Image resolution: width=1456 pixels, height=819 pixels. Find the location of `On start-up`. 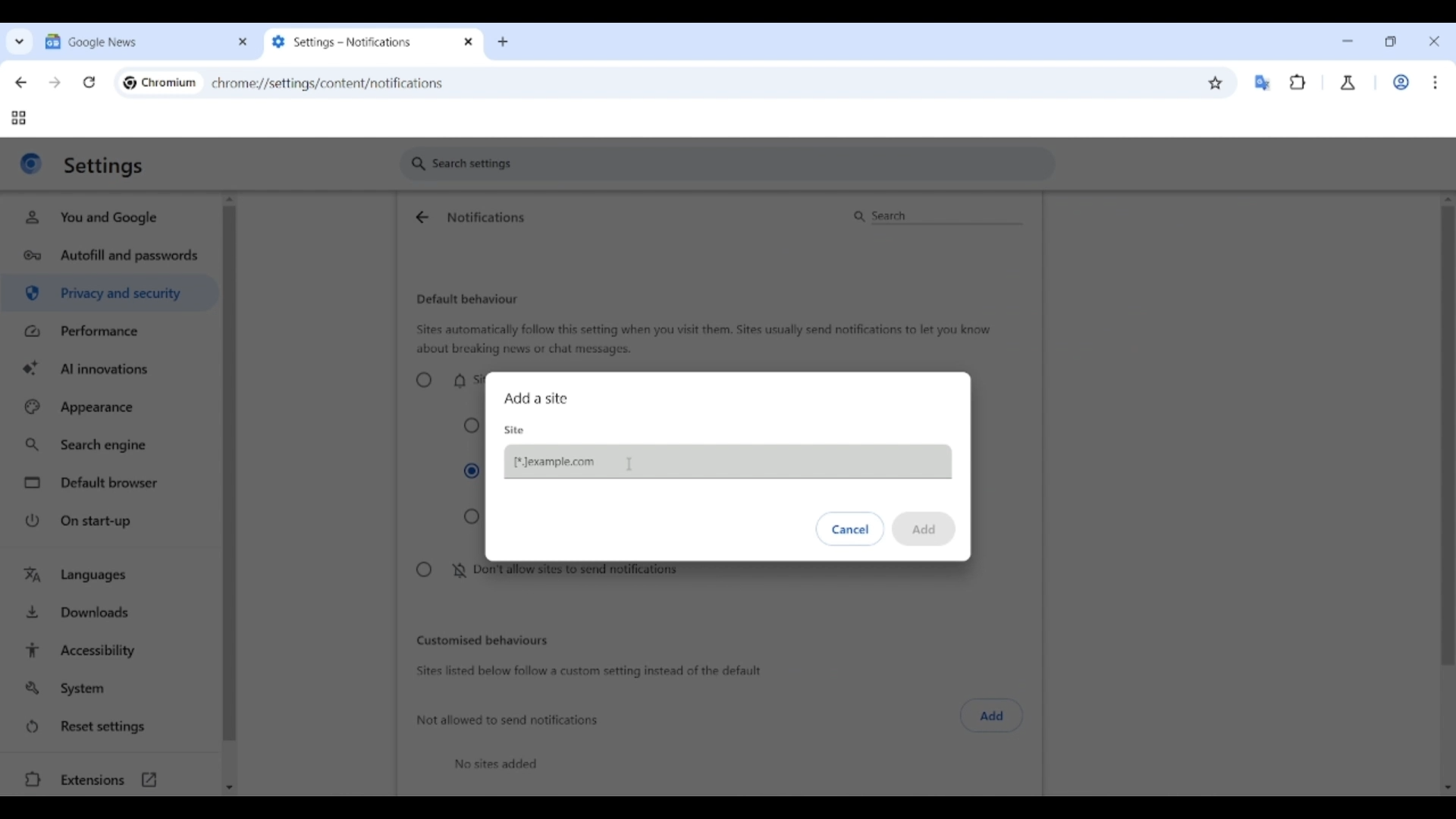

On start-up is located at coordinates (112, 520).